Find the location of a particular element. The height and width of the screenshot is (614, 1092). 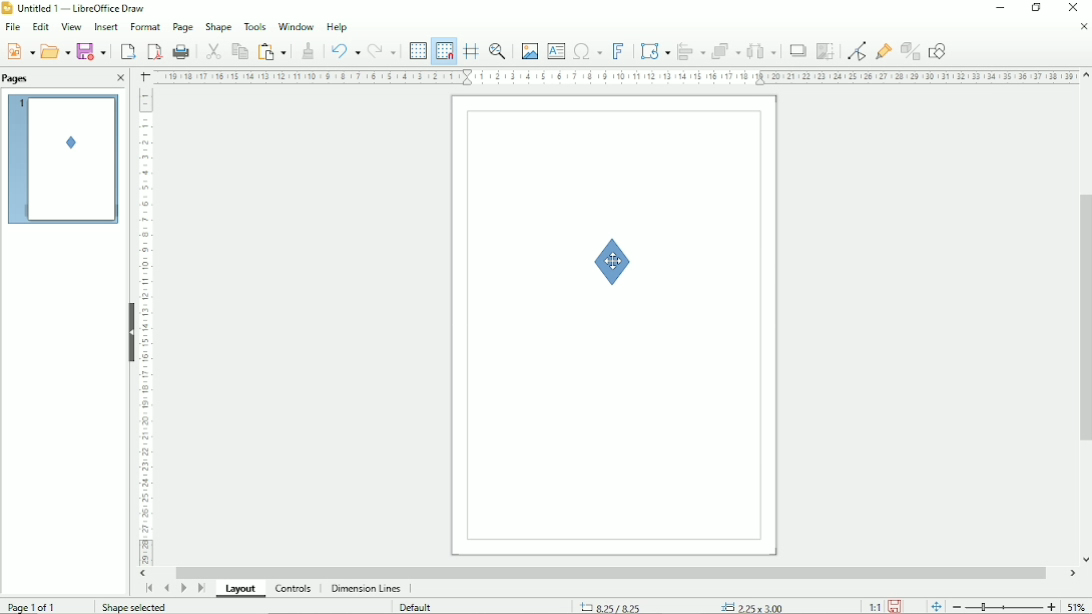

Scroll to first page is located at coordinates (147, 588).